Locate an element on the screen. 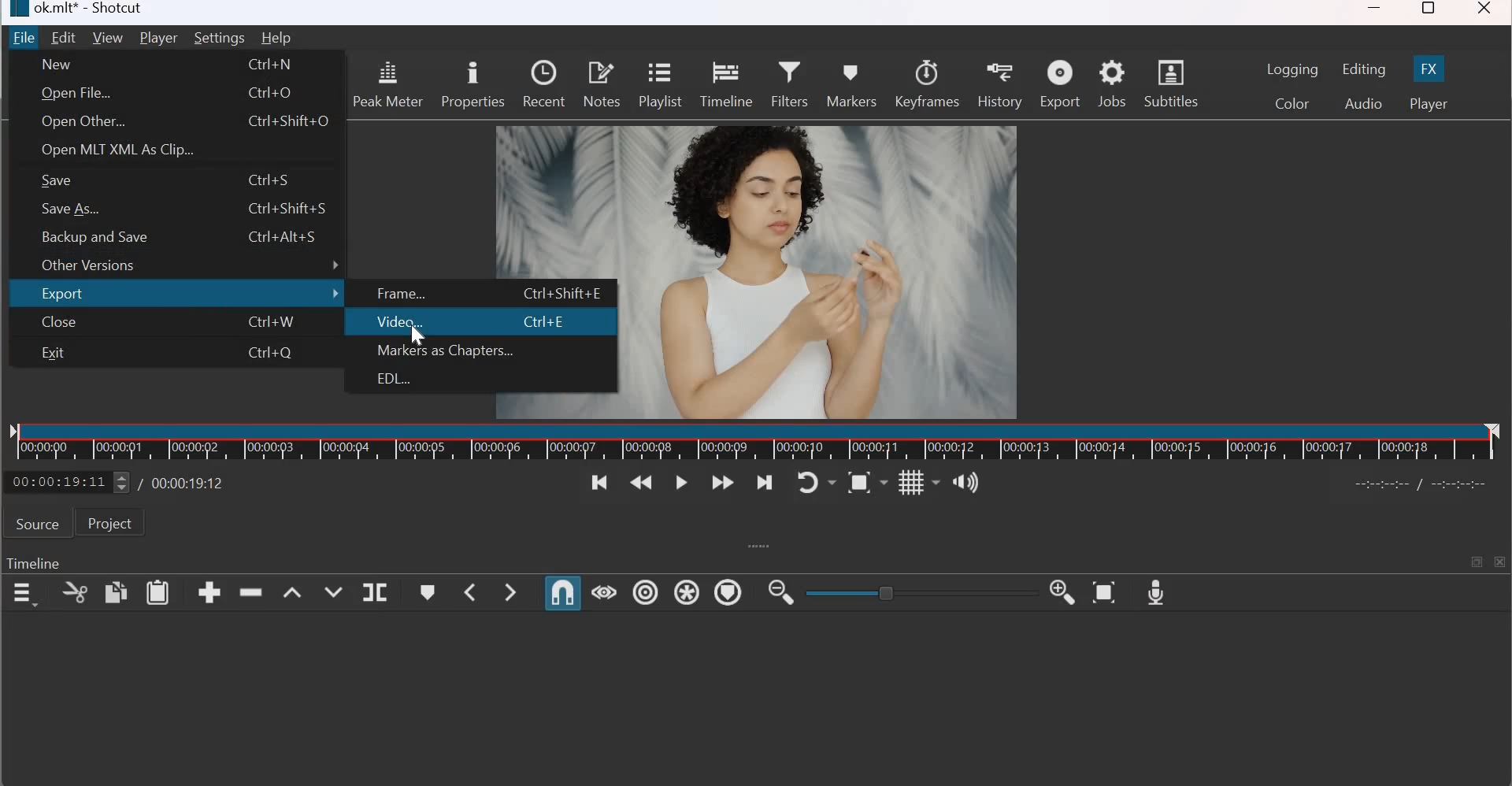  Ctrl+Alt+S is located at coordinates (288, 238).